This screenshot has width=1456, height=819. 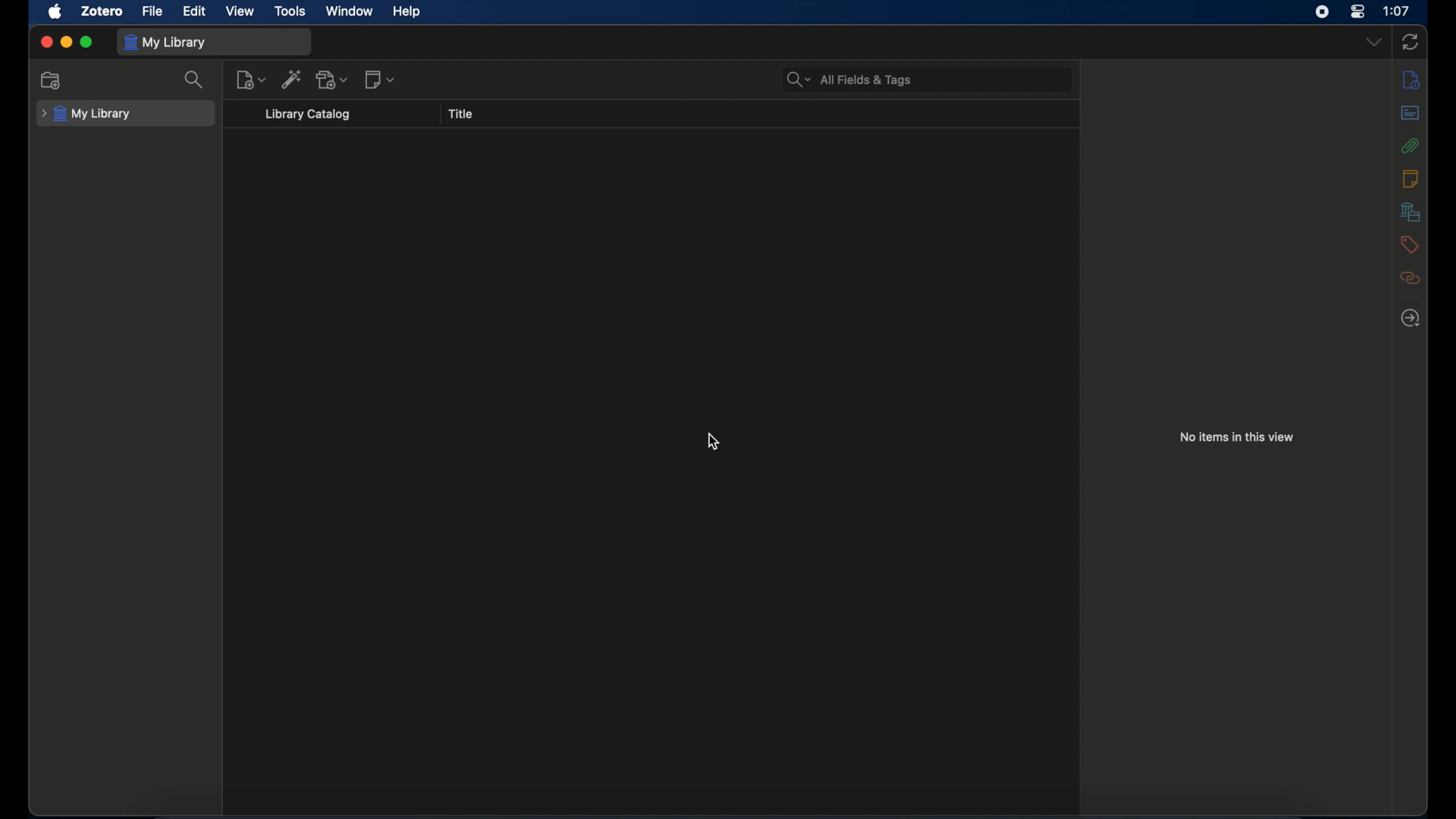 I want to click on apple, so click(x=55, y=12).